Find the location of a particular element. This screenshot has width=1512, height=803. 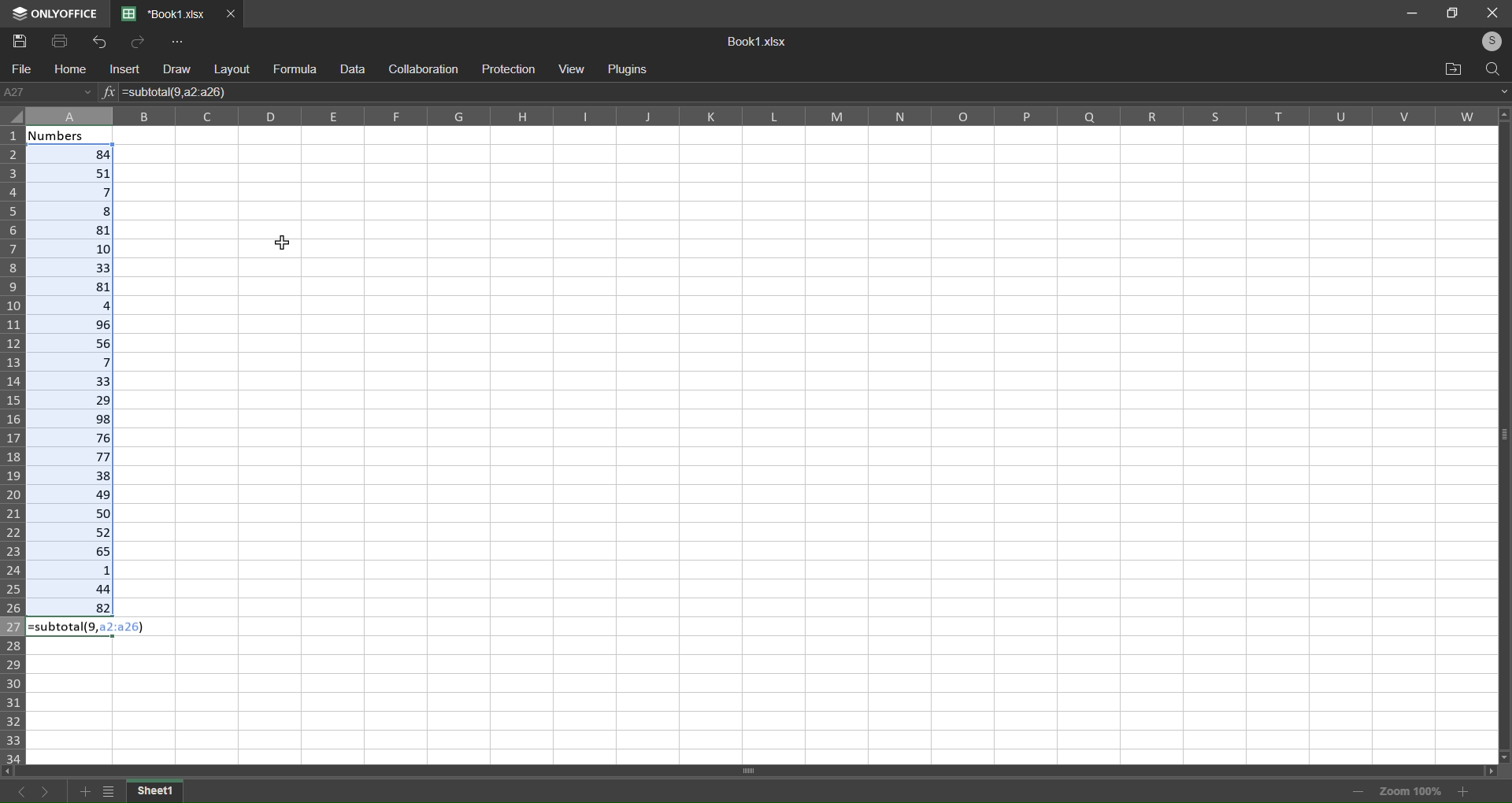

zoom in is located at coordinates (1461, 790).